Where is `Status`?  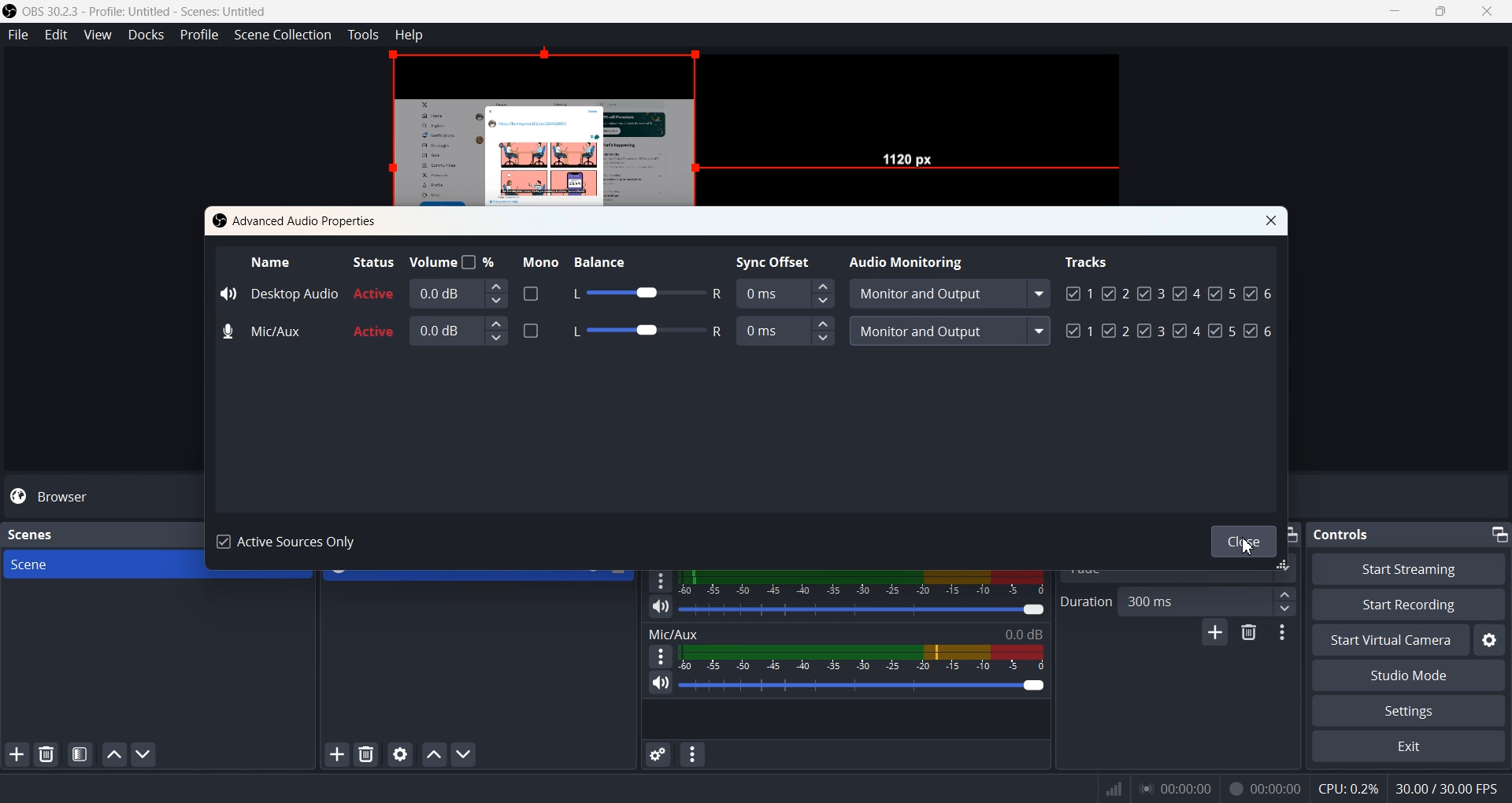
Status is located at coordinates (372, 261).